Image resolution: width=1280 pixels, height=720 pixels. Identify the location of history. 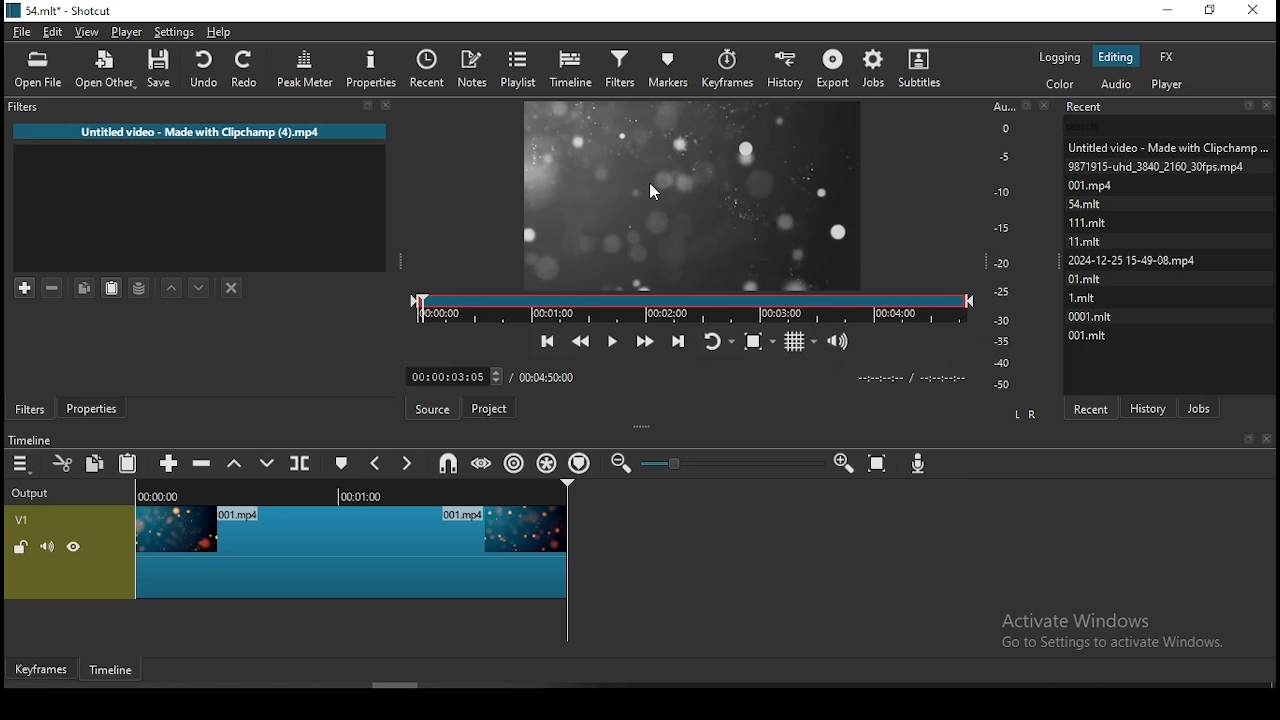
(788, 69).